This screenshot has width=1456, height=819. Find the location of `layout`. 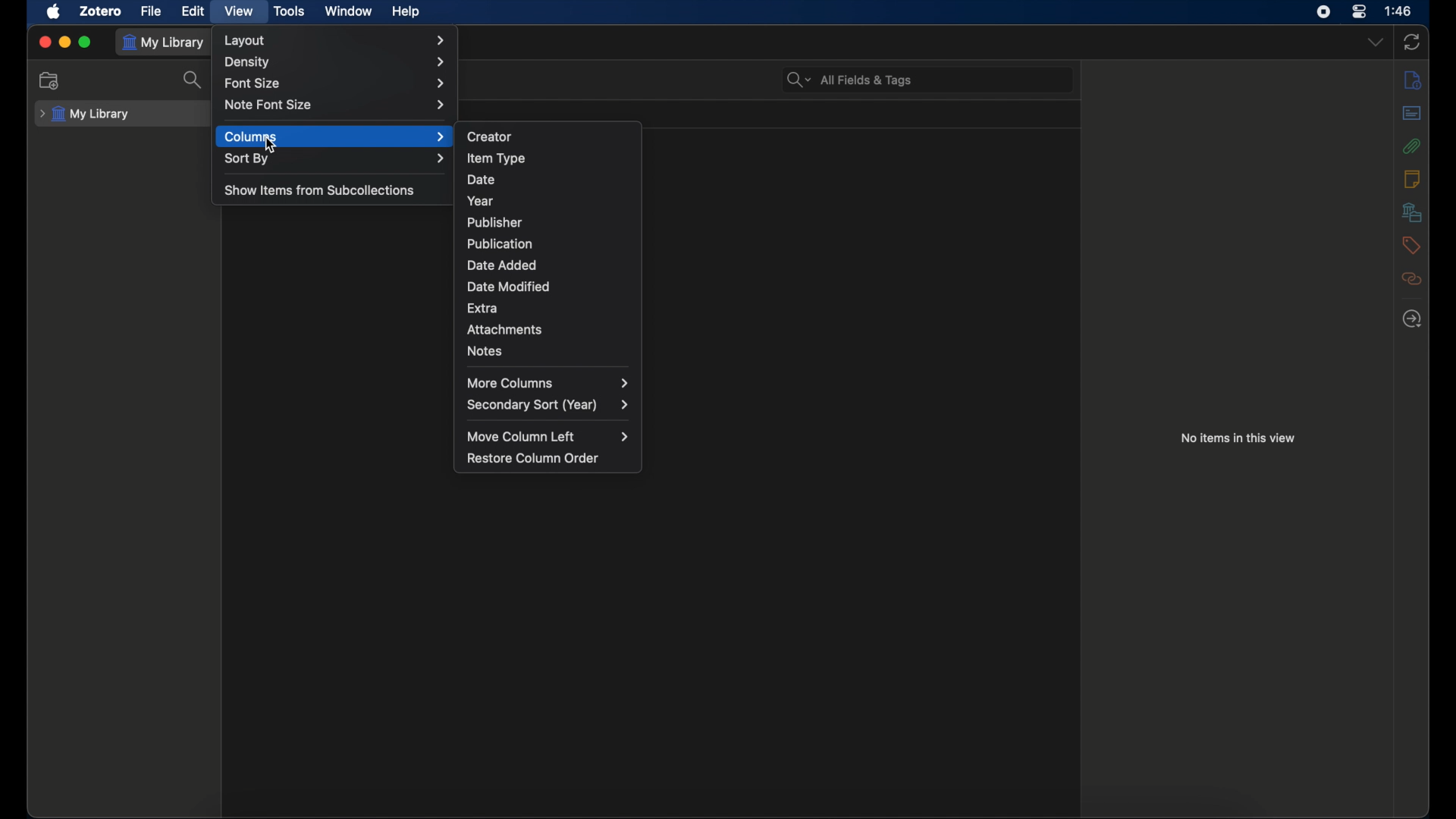

layout is located at coordinates (338, 40).